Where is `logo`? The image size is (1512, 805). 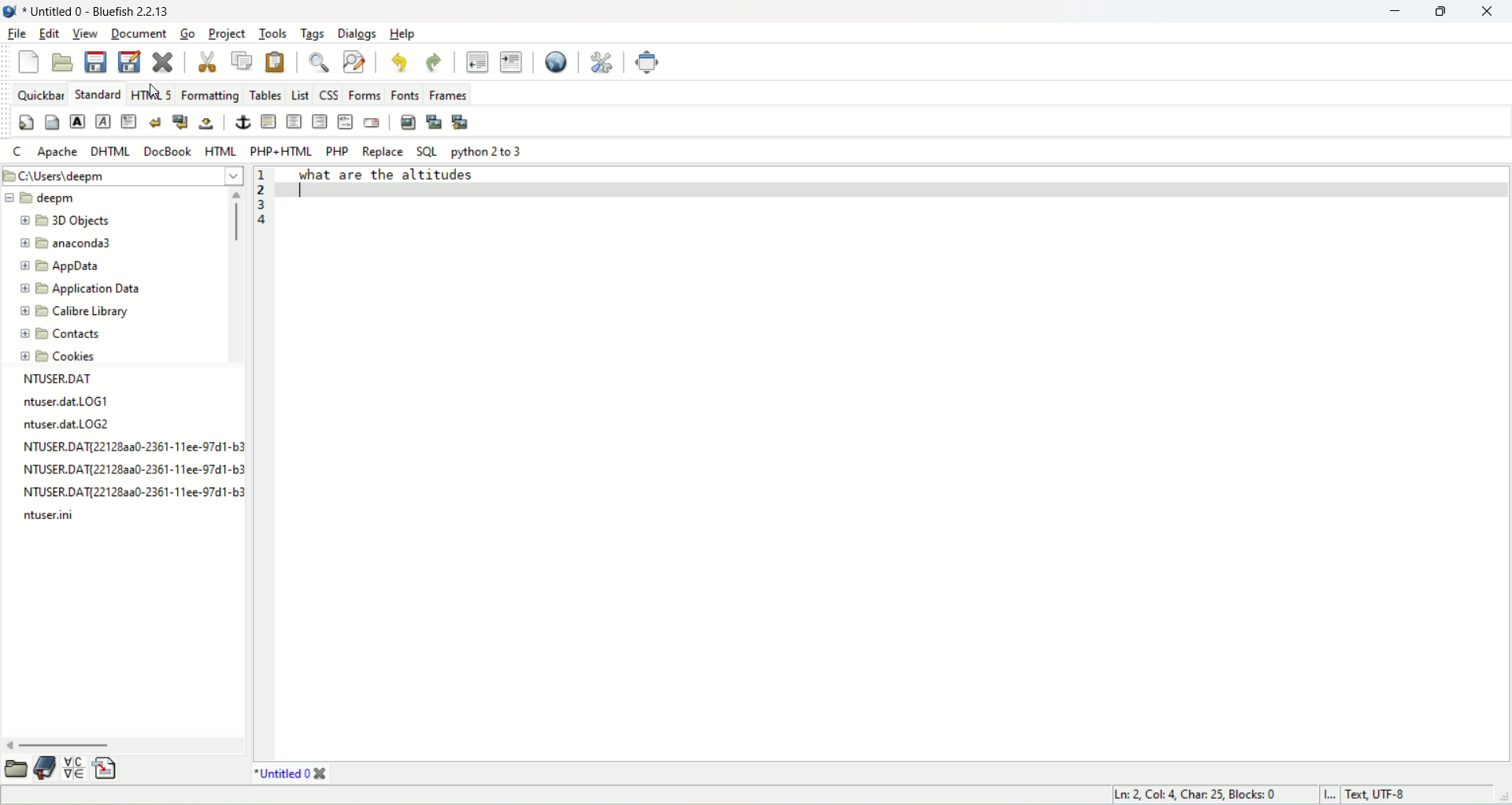
logo is located at coordinates (9, 11).